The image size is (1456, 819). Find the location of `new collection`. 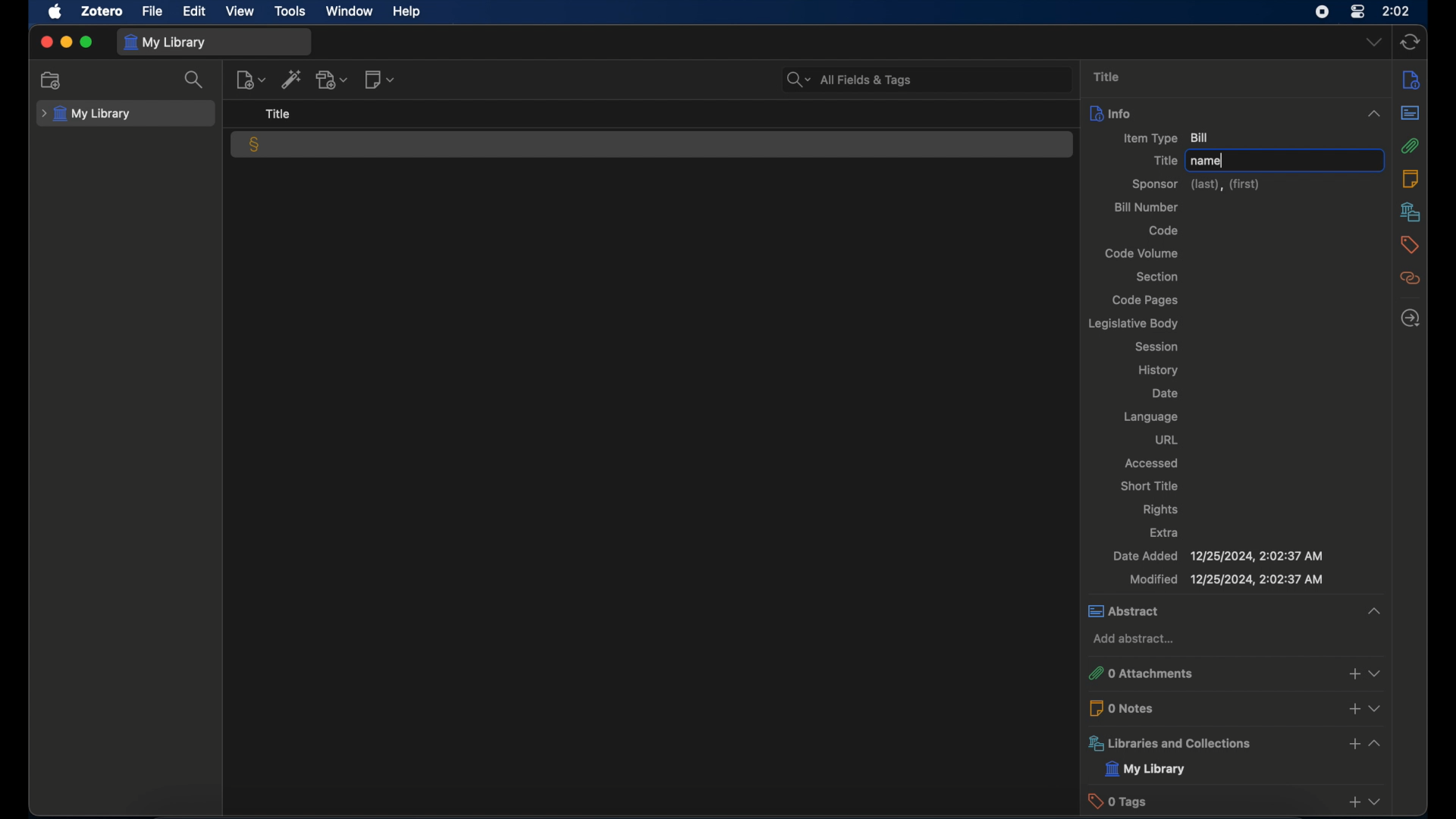

new collection is located at coordinates (53, 80).